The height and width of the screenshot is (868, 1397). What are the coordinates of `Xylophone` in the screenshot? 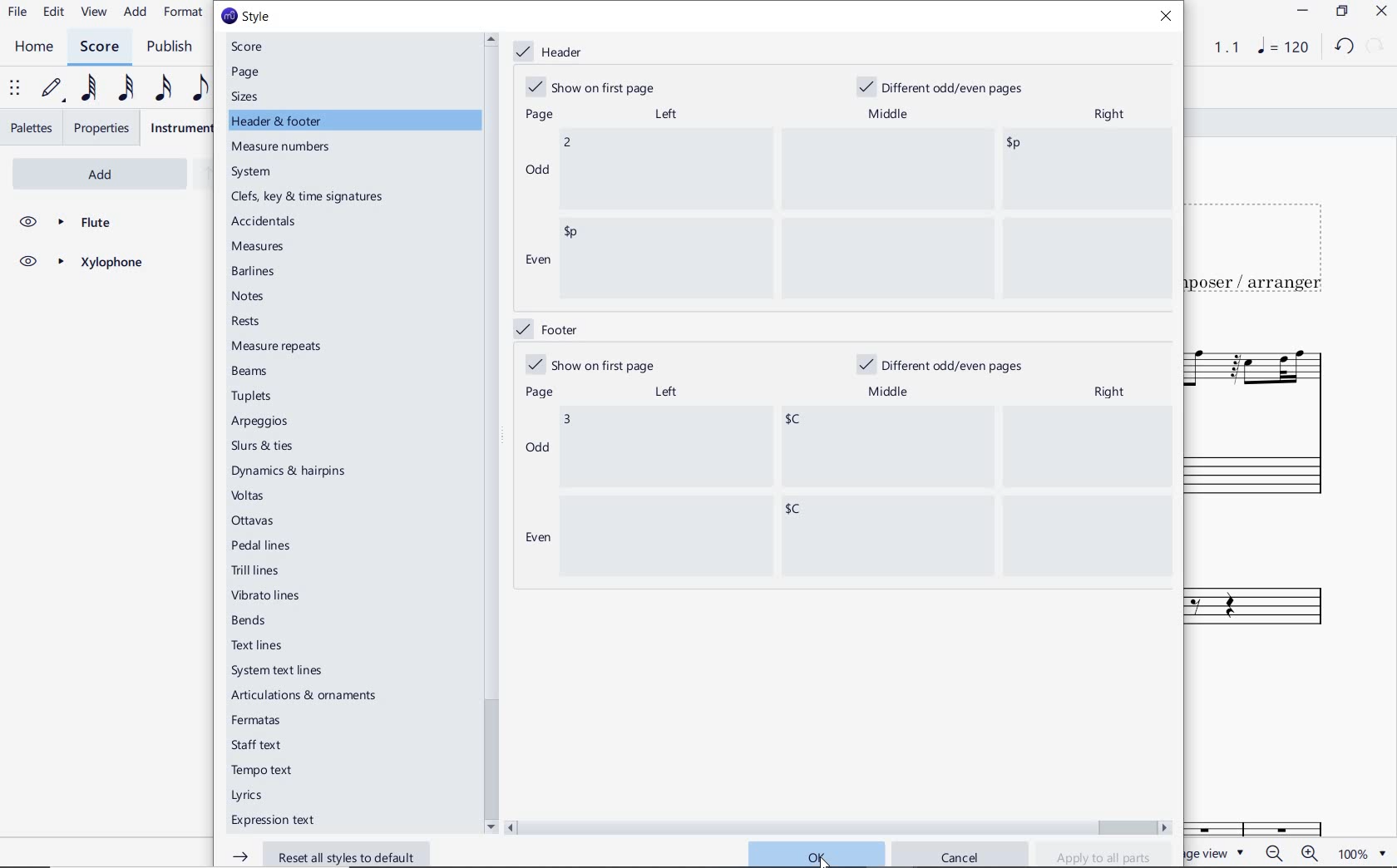 It's located at (1272, 588).